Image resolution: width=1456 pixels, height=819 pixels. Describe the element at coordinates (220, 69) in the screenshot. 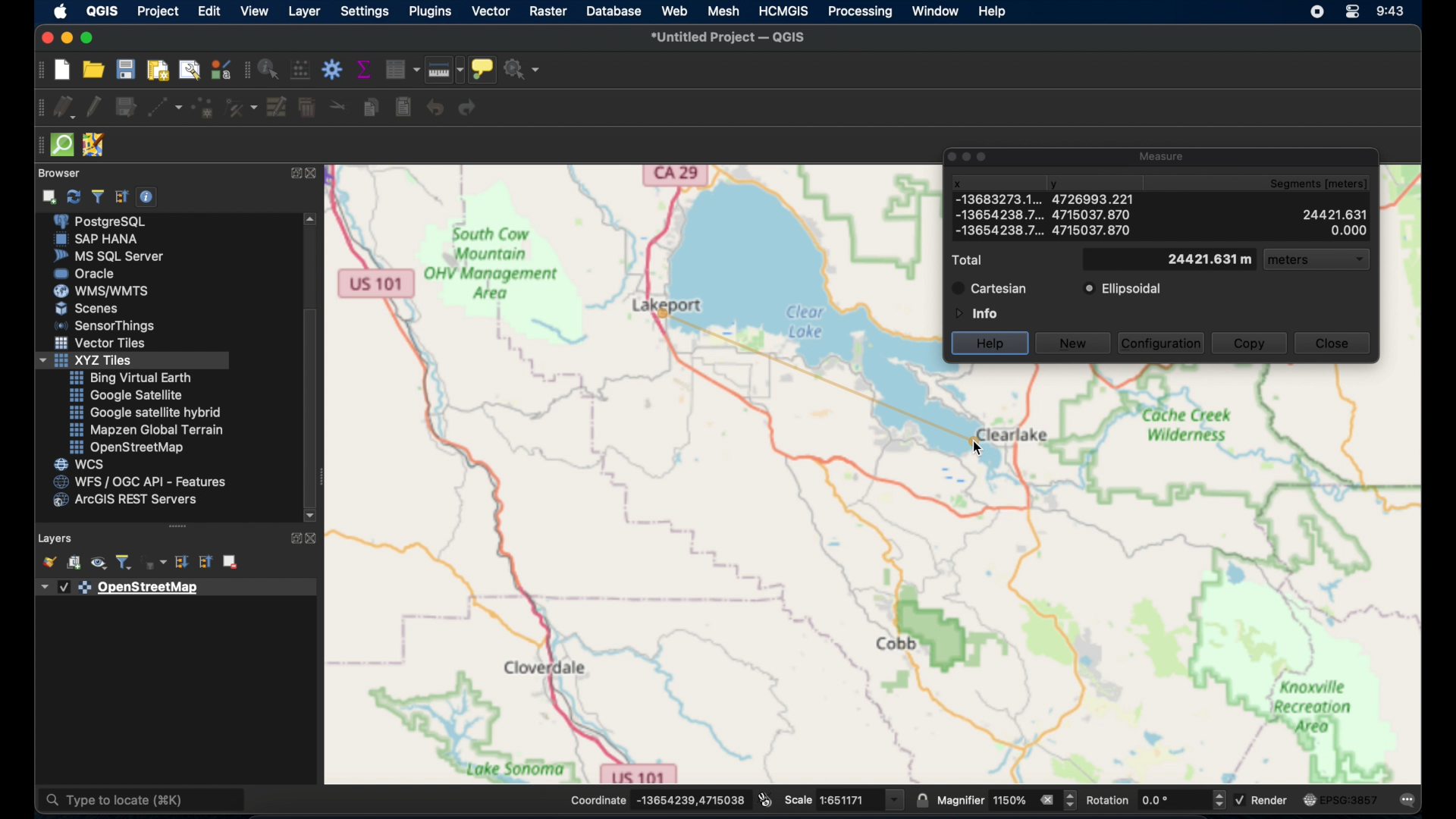

I see `style manager` at that location.